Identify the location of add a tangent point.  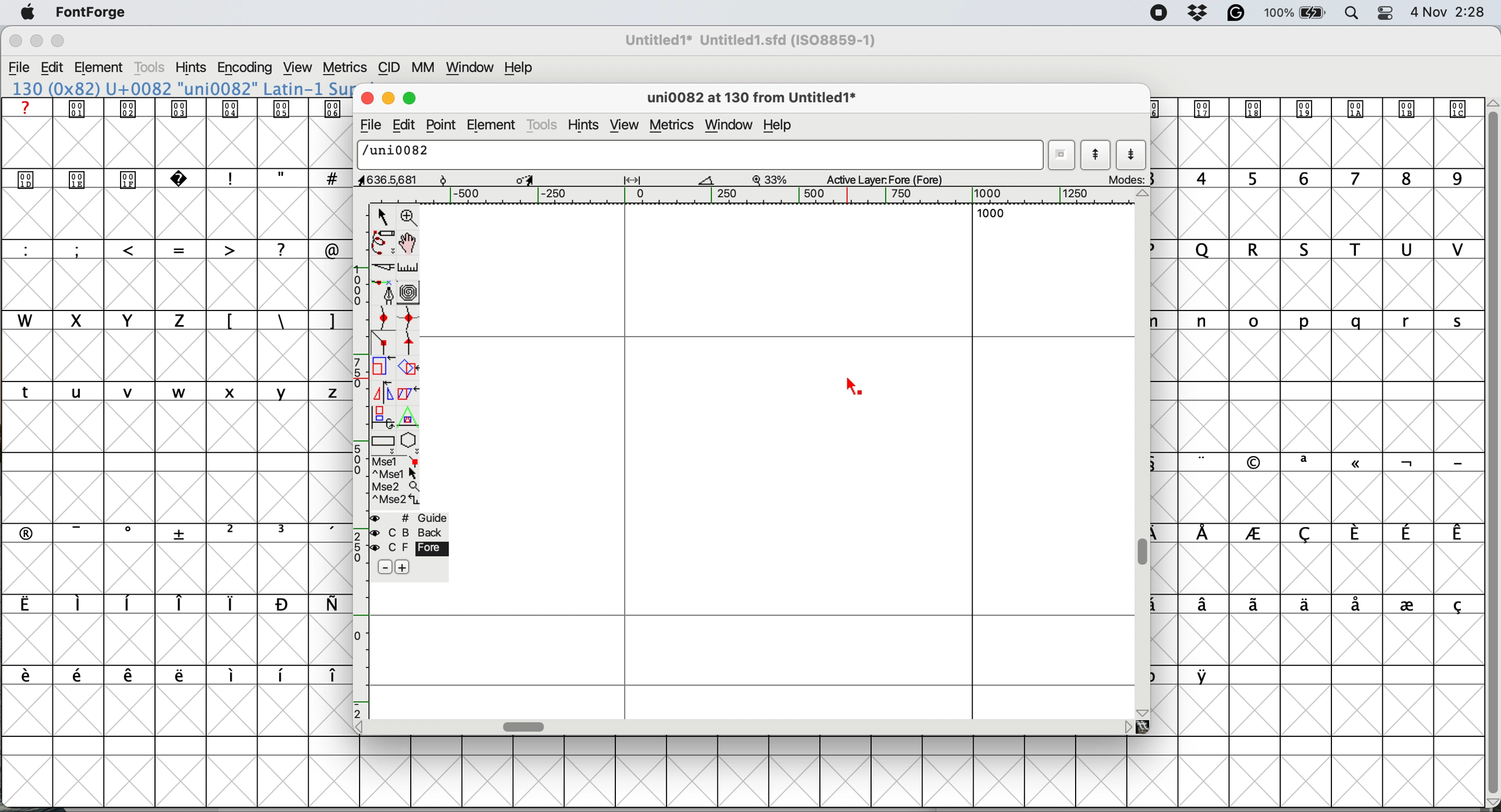
(410, 343).